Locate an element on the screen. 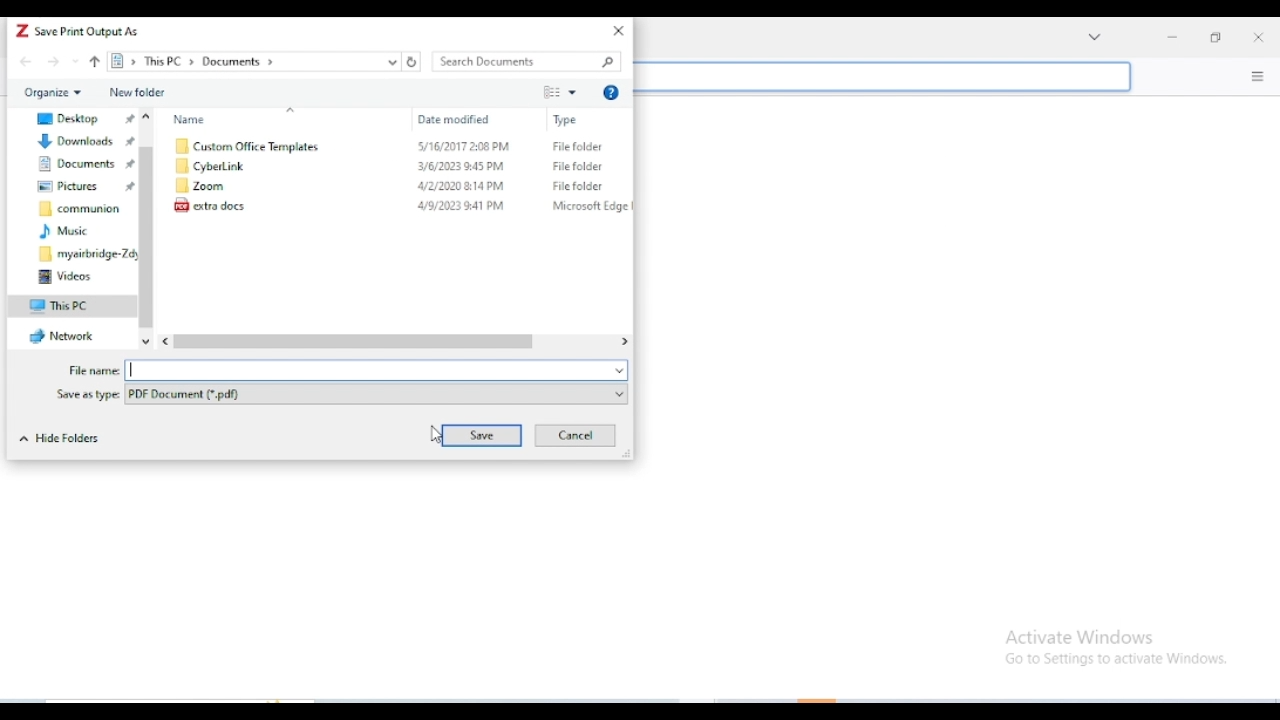 This screenshot has height=720, width=1280. Refresh  is located at coordinates (411, 63).